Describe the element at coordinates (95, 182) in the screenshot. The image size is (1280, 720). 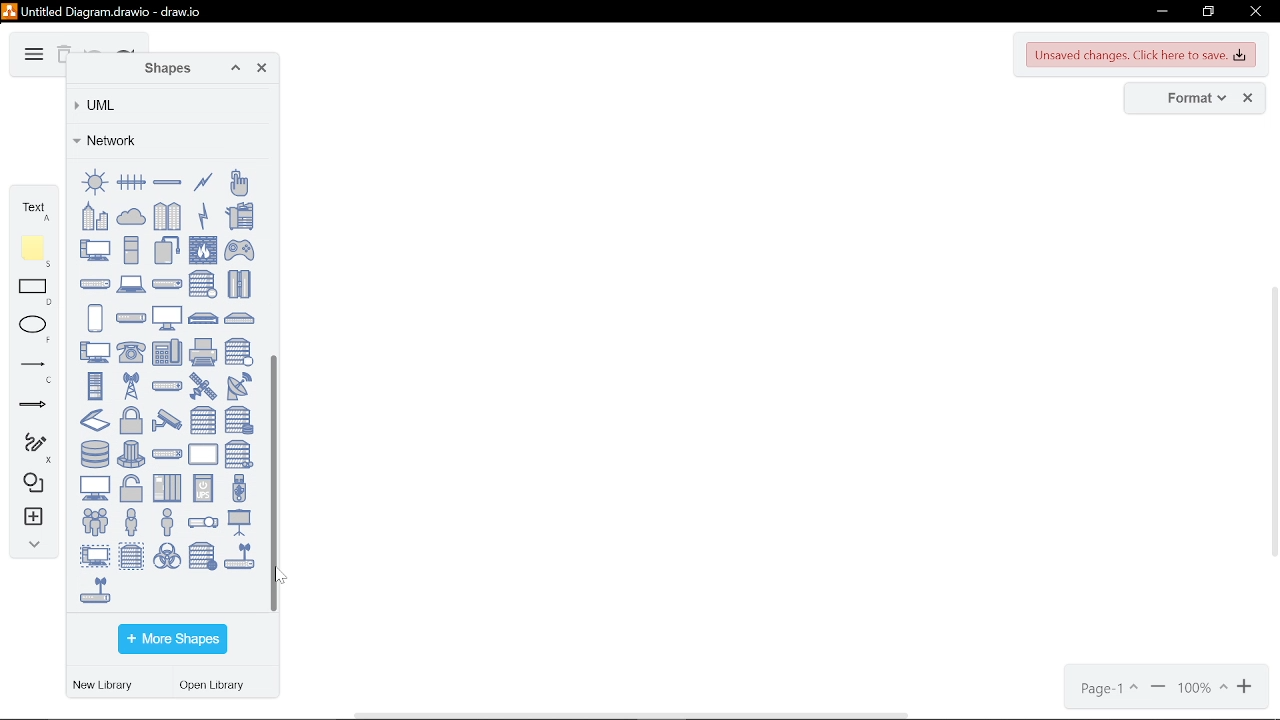
I see `ring bus` at that location.